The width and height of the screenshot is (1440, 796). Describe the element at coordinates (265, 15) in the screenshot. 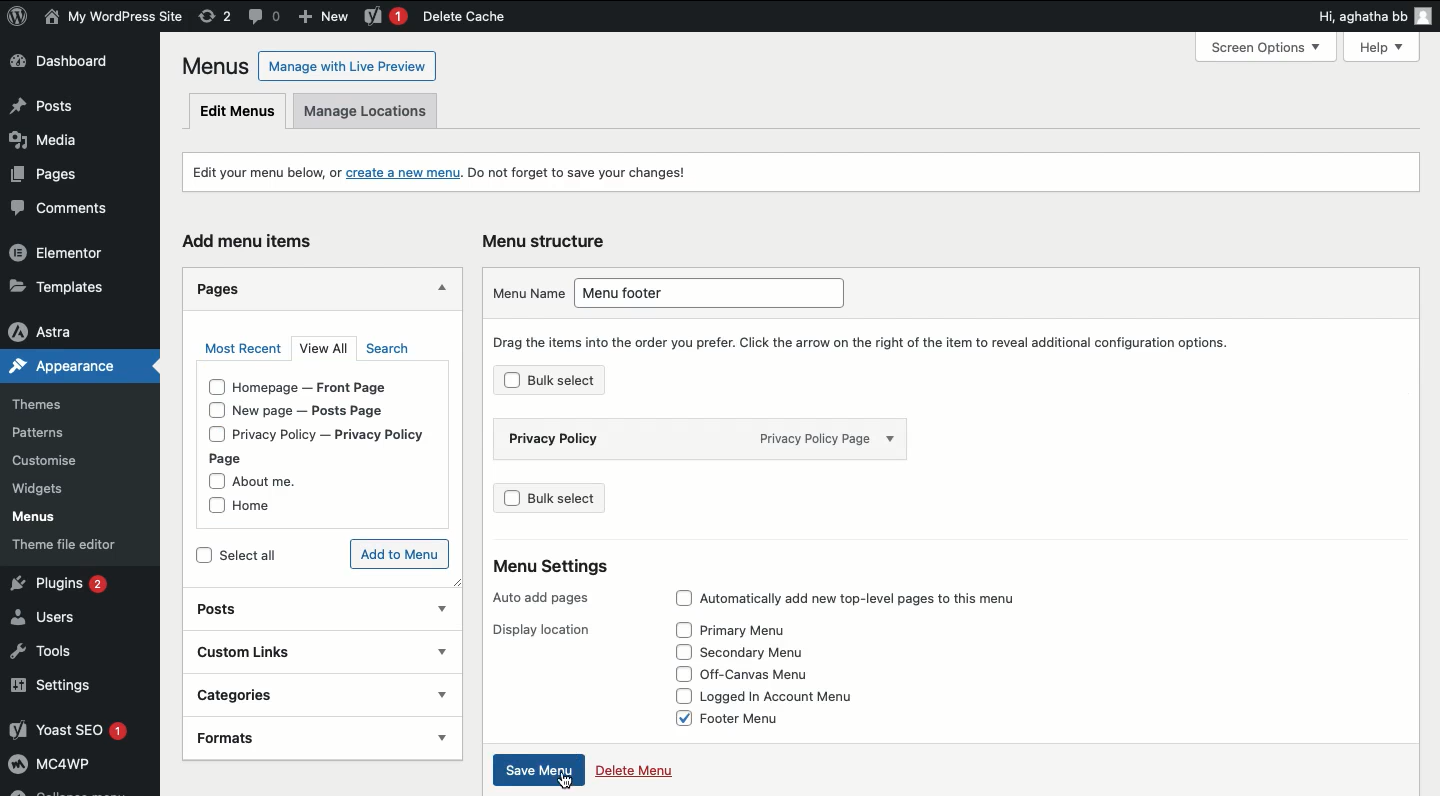

I see `Comment` at that location.